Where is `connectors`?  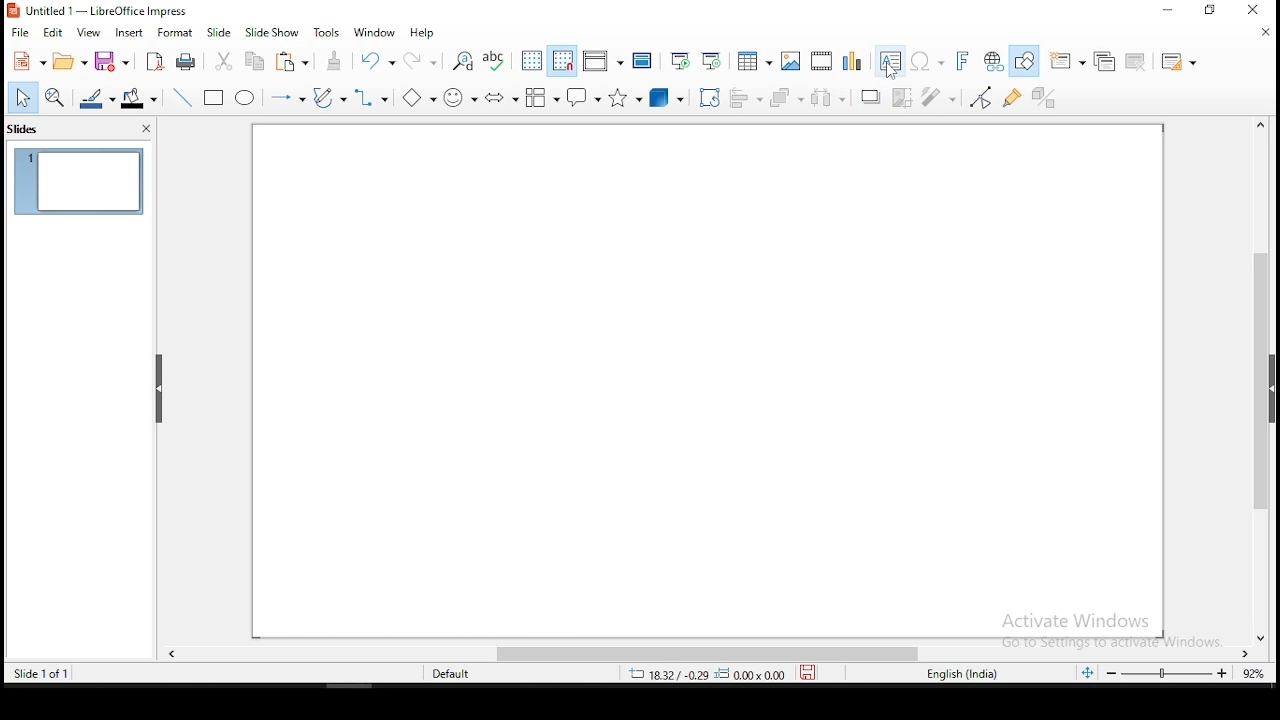 connectors is located at coordinates (370, 99).